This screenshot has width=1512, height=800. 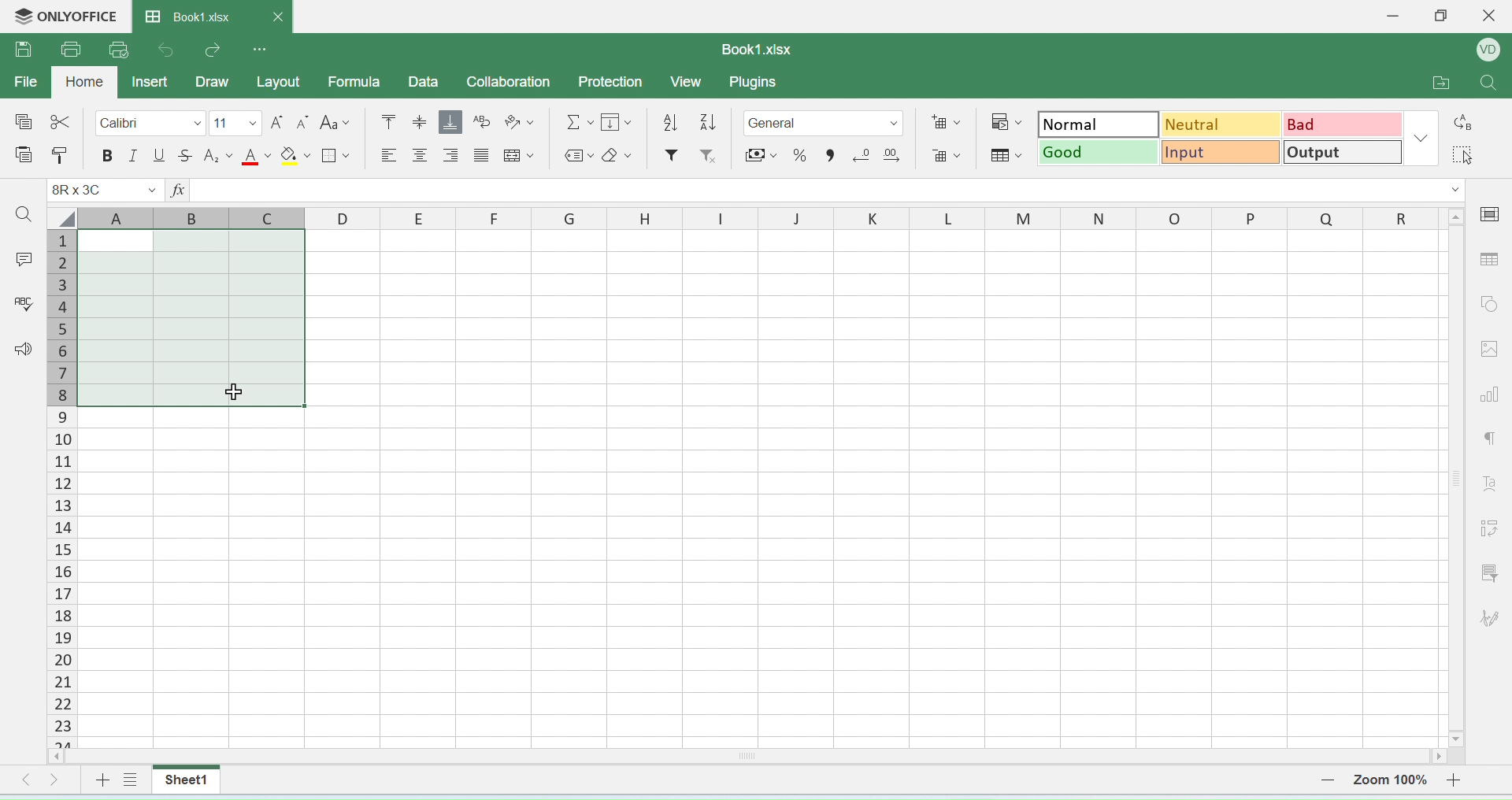 What do you see at coordinates (26, 157) in the screenshot?
I see `paste` at bounding box center [26, 157].